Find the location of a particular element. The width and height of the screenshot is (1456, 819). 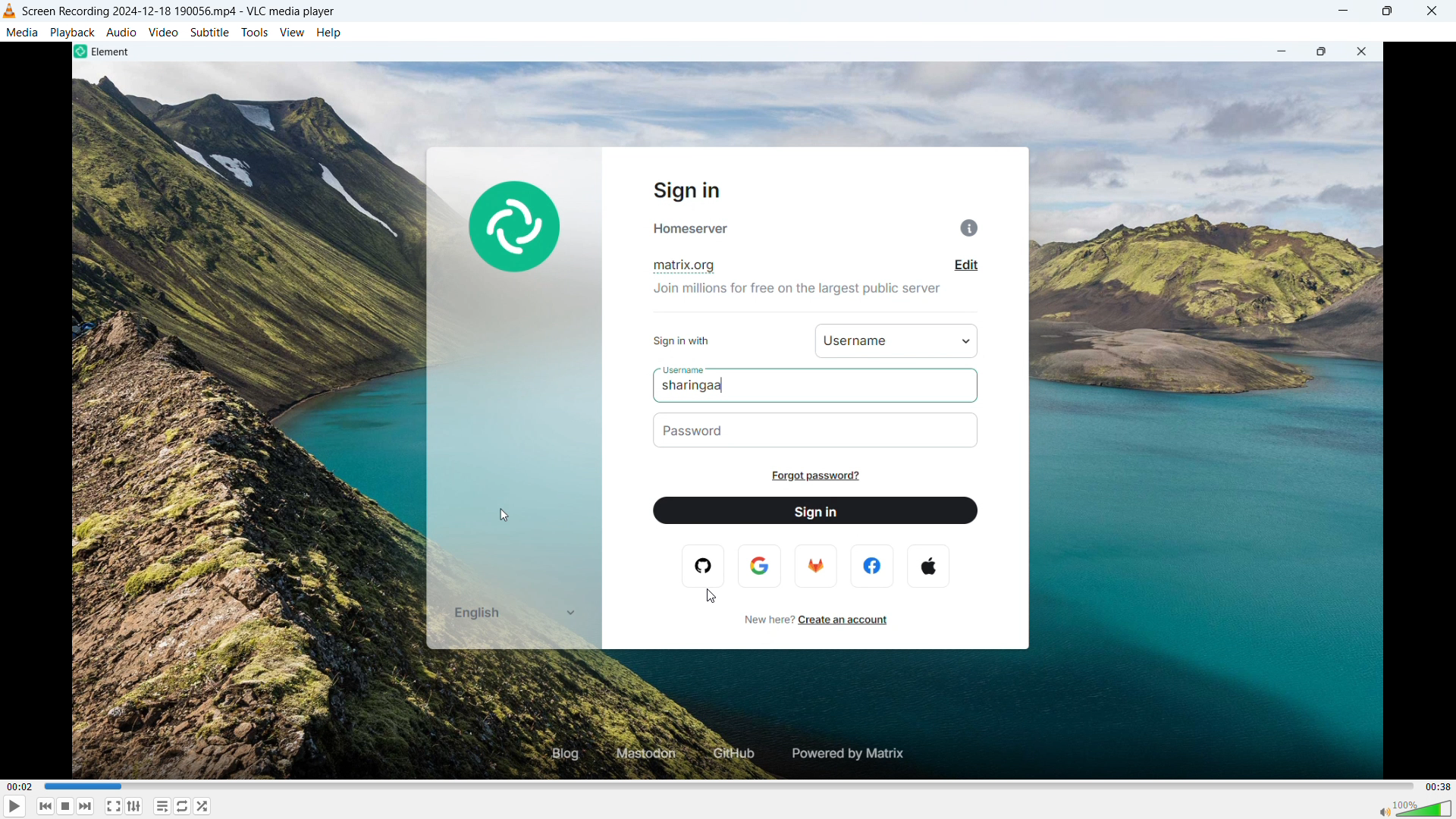

tools is located at coordinates (255, 33).